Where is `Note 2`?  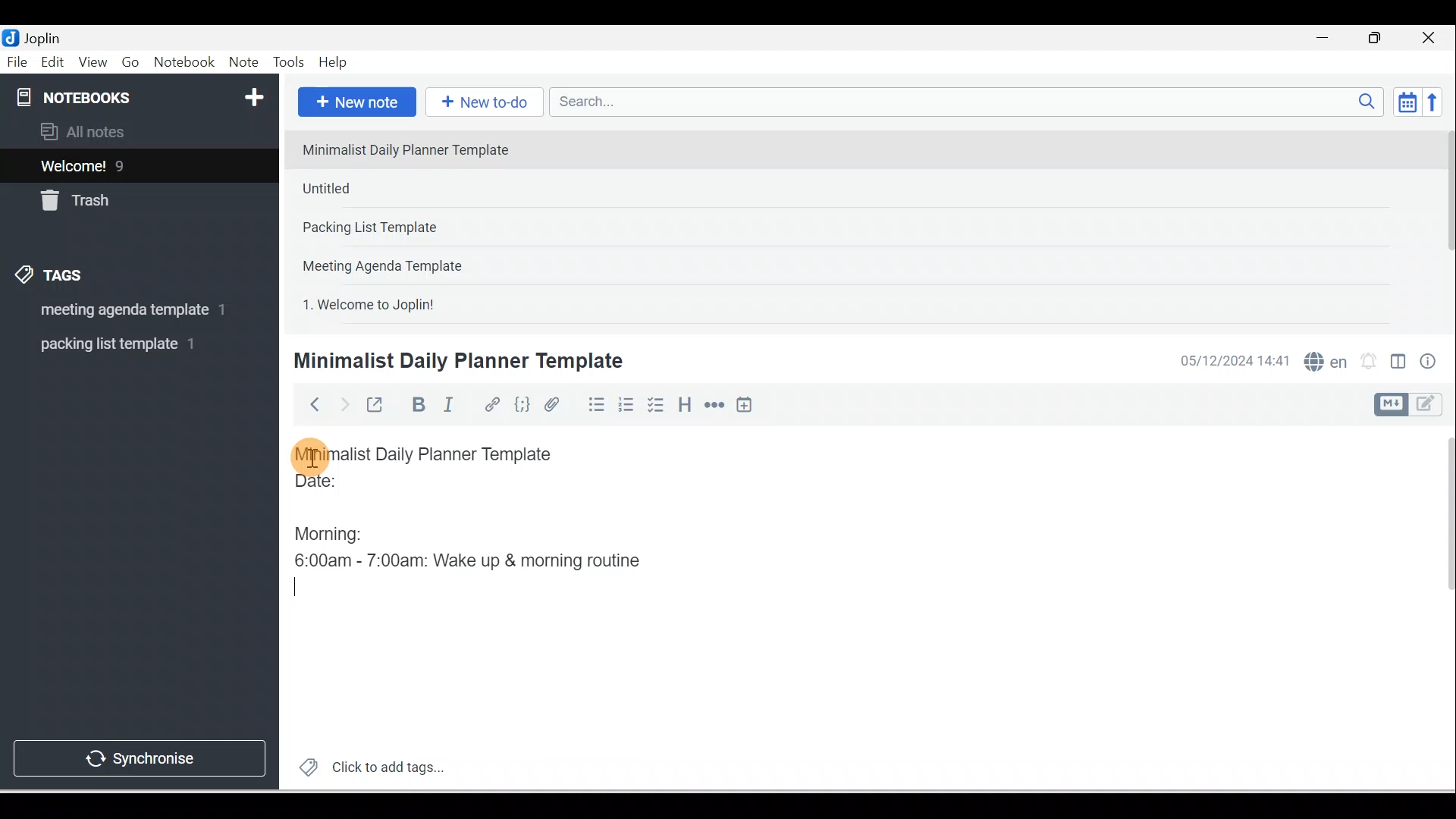 Note 2 is located at coordinates (401, 188).